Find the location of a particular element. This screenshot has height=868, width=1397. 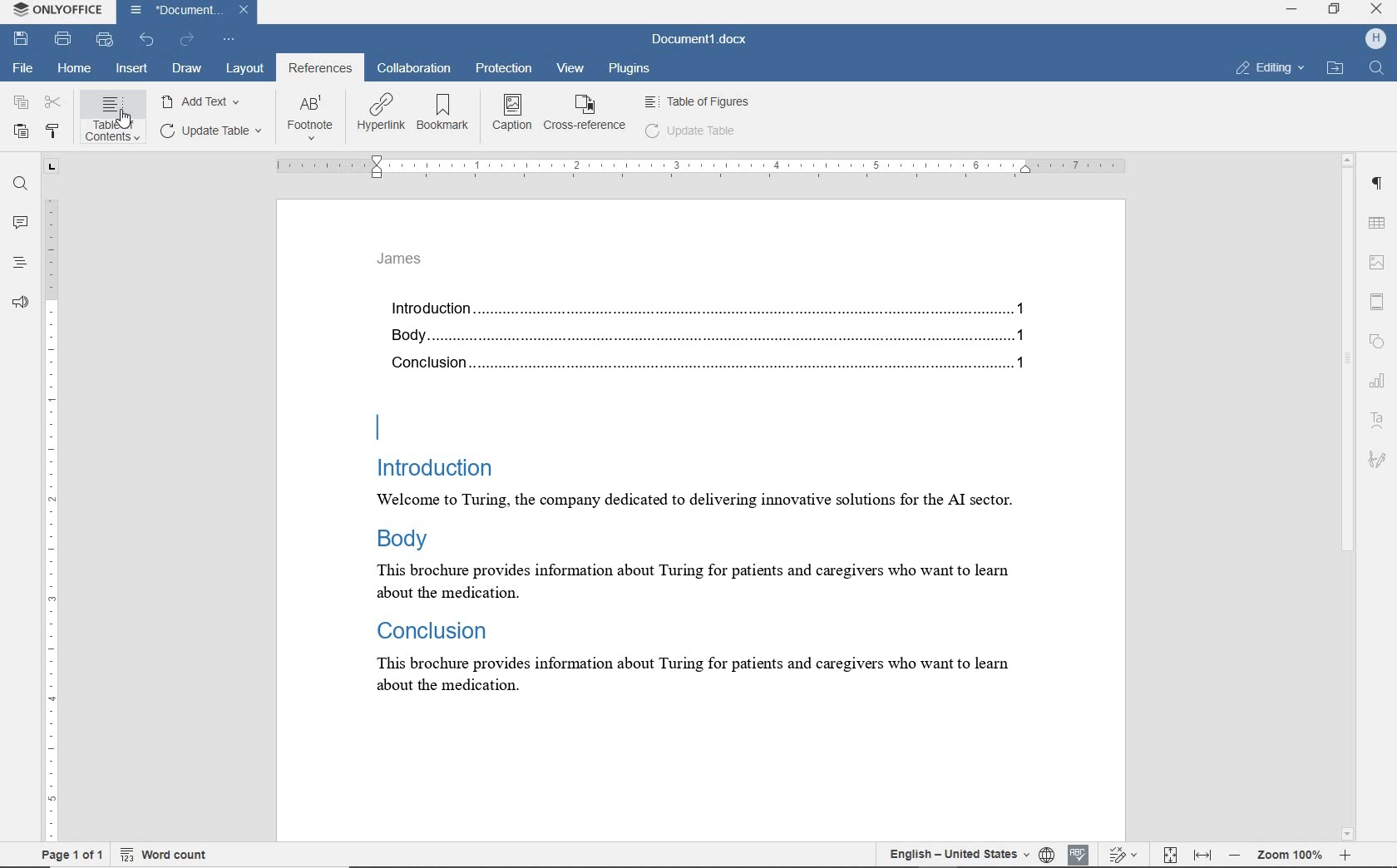

ignature is located at coordinates (1377, 456).